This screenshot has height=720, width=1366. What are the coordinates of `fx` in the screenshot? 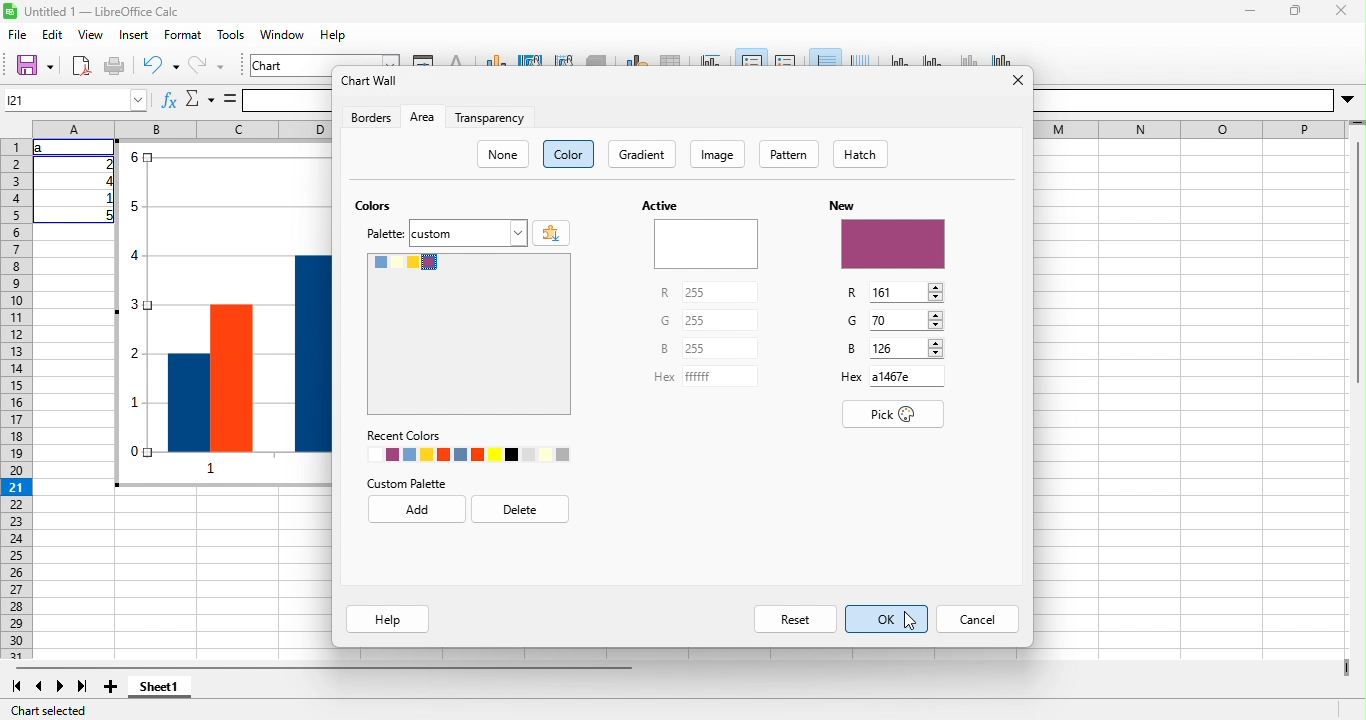 It's located at (169, 99).